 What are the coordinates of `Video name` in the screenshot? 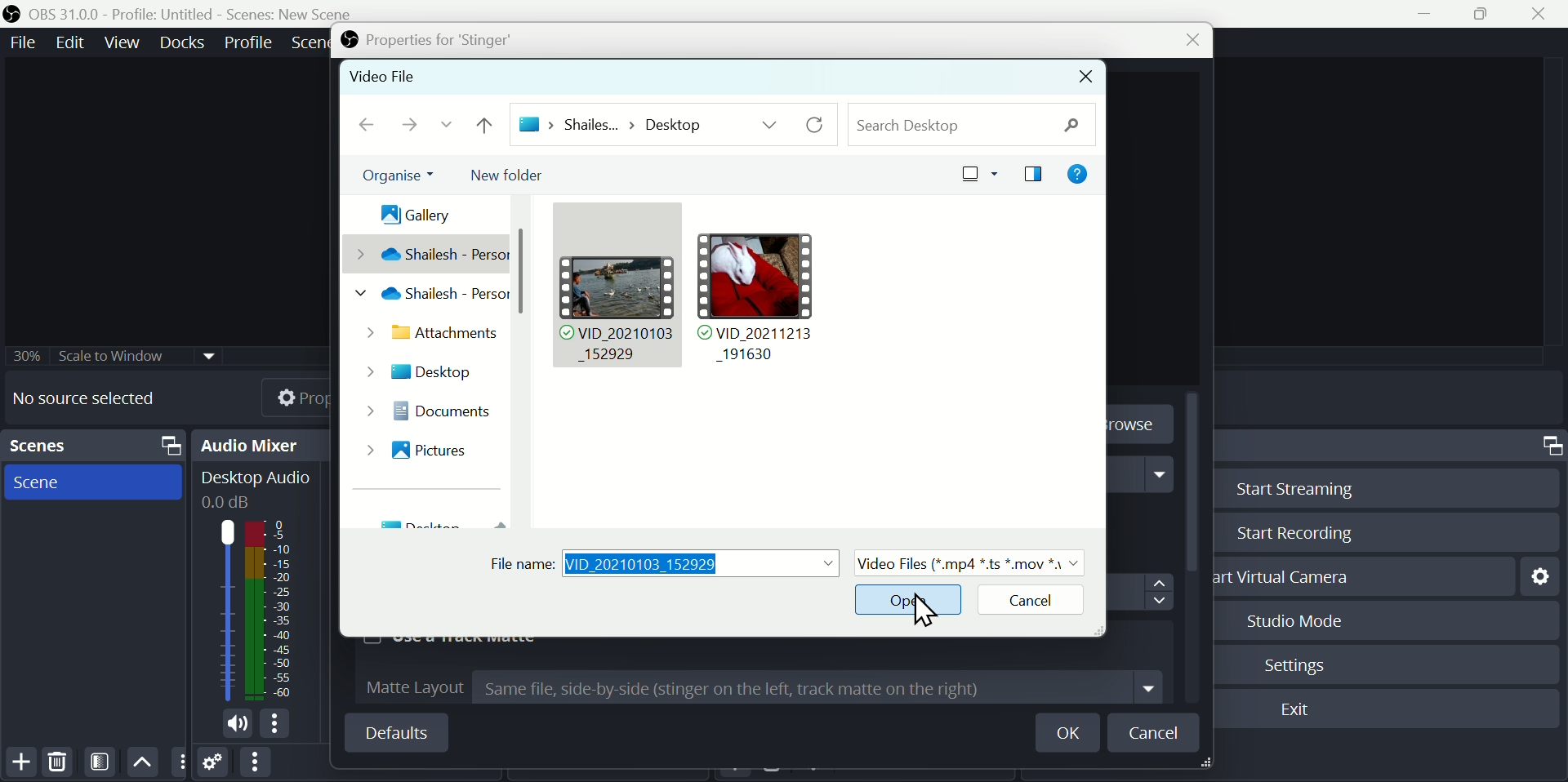 It's located at (669, 564).